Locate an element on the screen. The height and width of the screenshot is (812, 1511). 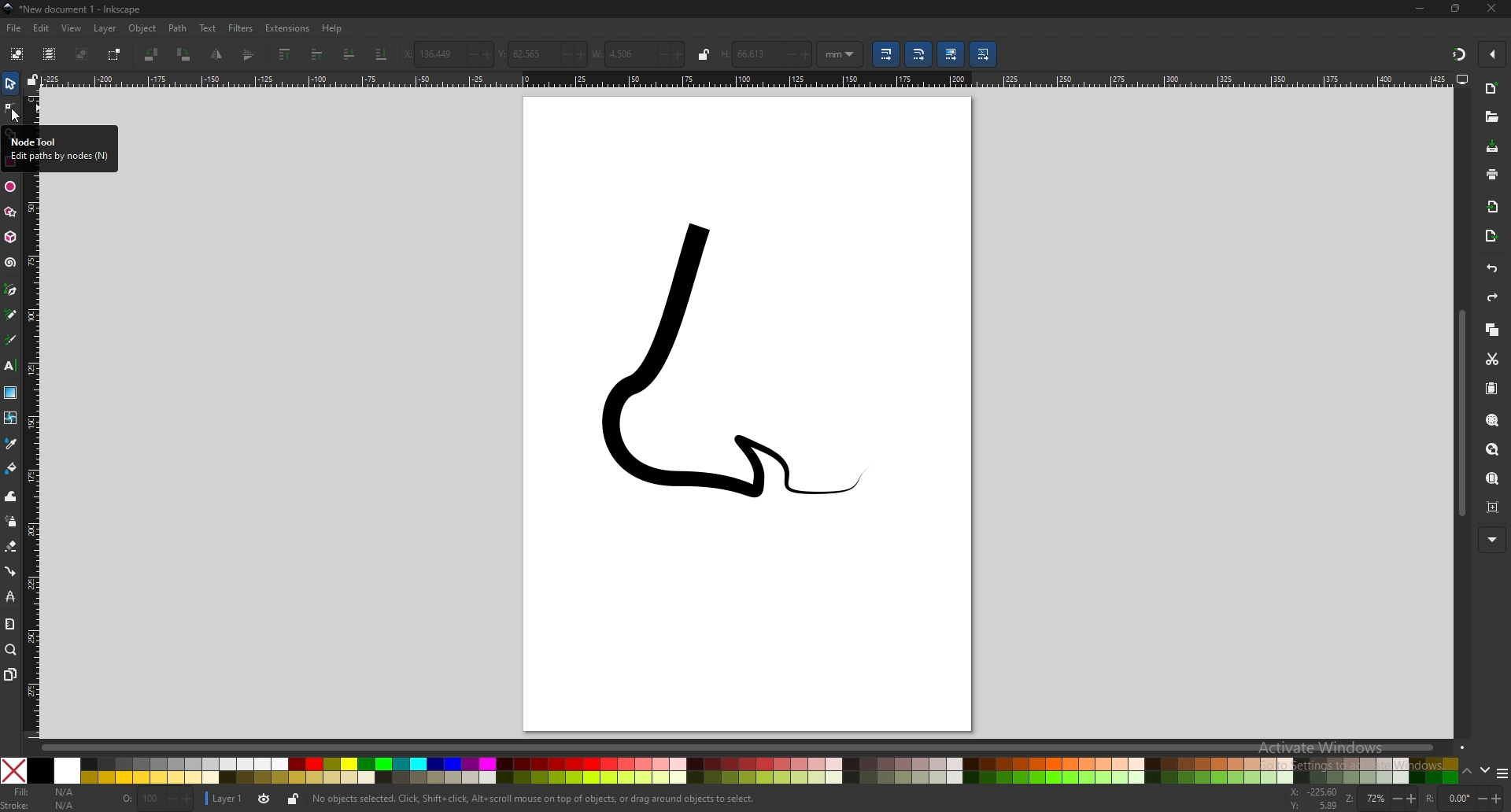
extensions is located at coordinates (288, 27).